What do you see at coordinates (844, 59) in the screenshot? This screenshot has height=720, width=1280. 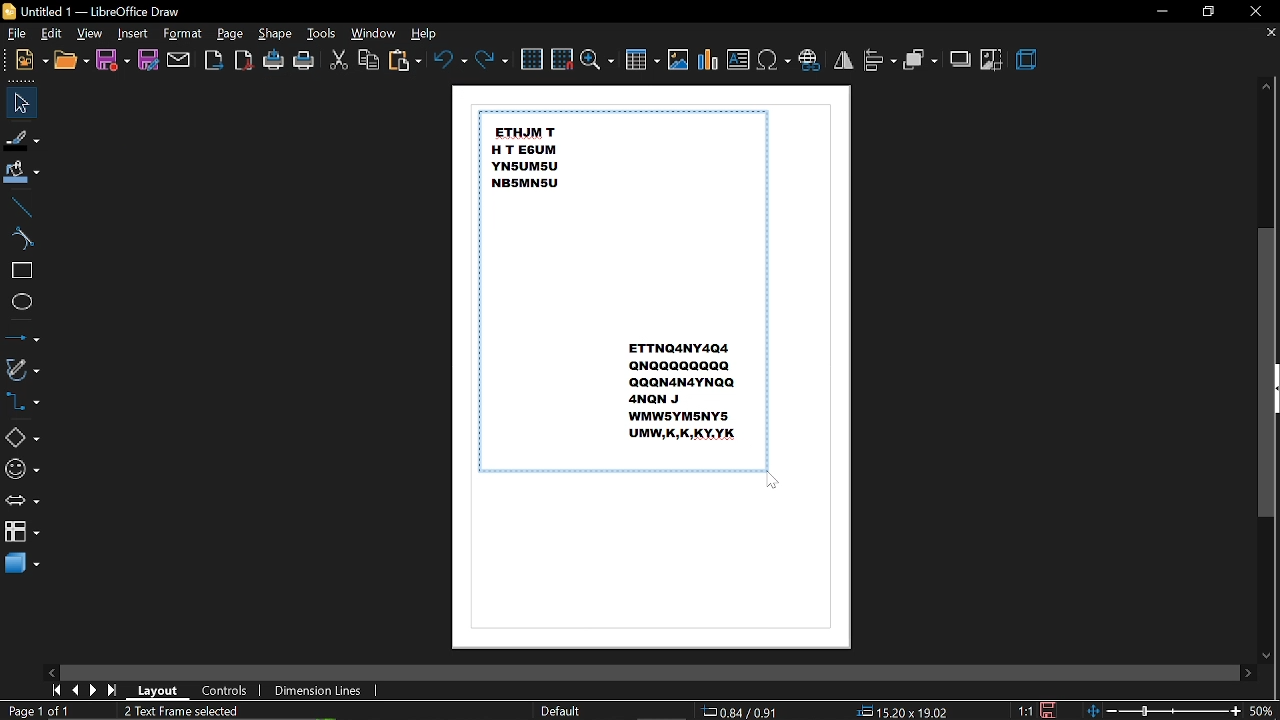 I see `flip` at bounding box center [844, 59].